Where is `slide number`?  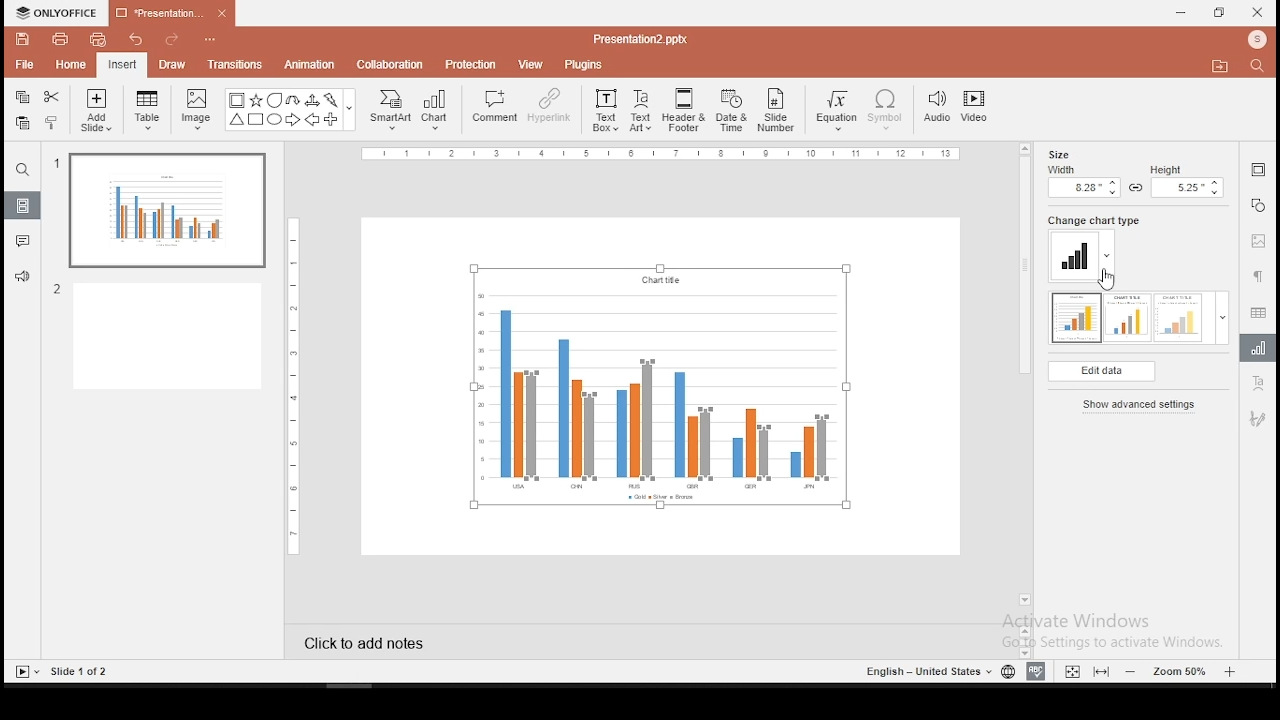 slide number is located at coordinates (778, 109).